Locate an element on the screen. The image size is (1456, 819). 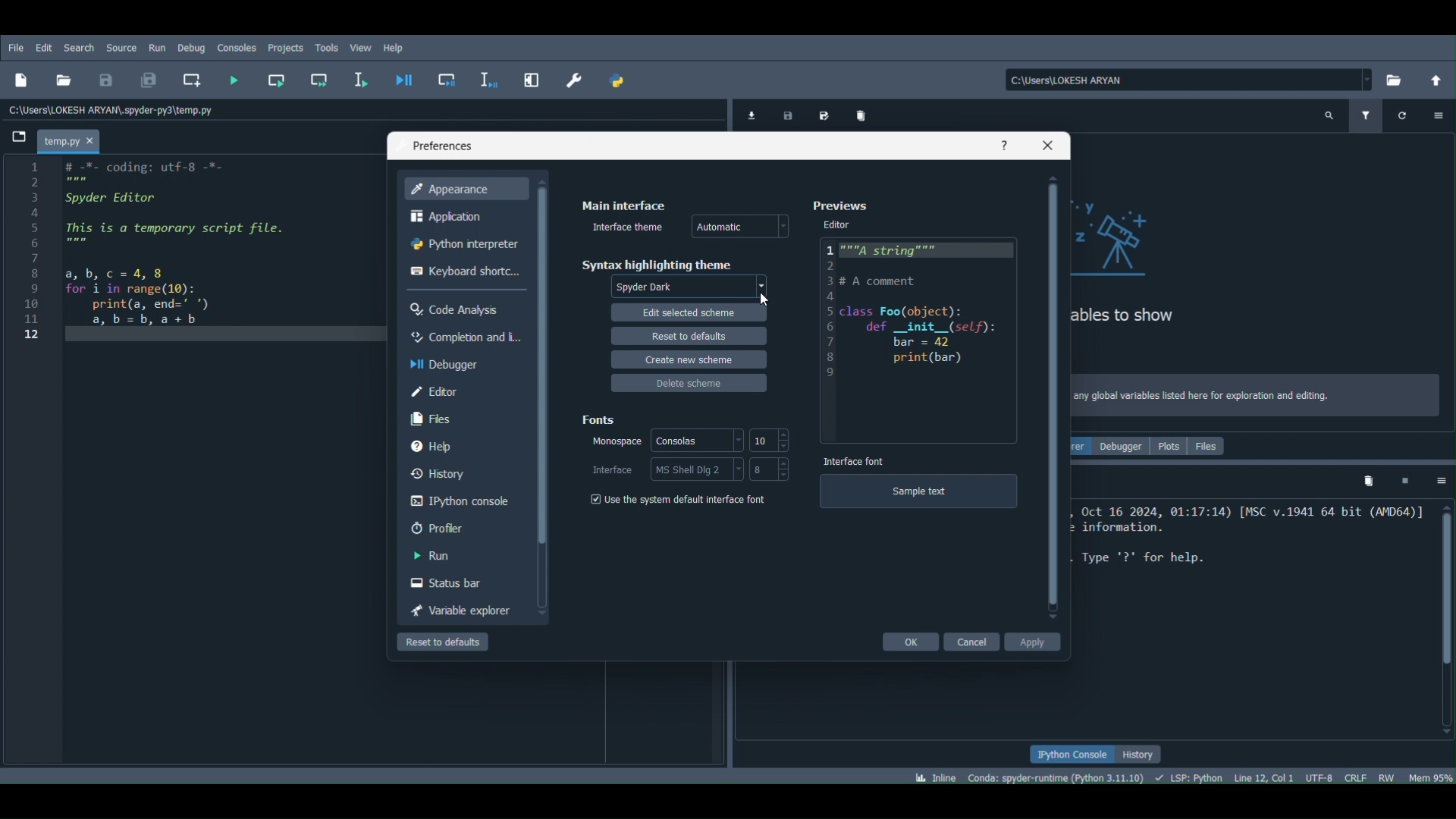
Run current cell (Ctrl + Return) is located at coordinates (271, 80).